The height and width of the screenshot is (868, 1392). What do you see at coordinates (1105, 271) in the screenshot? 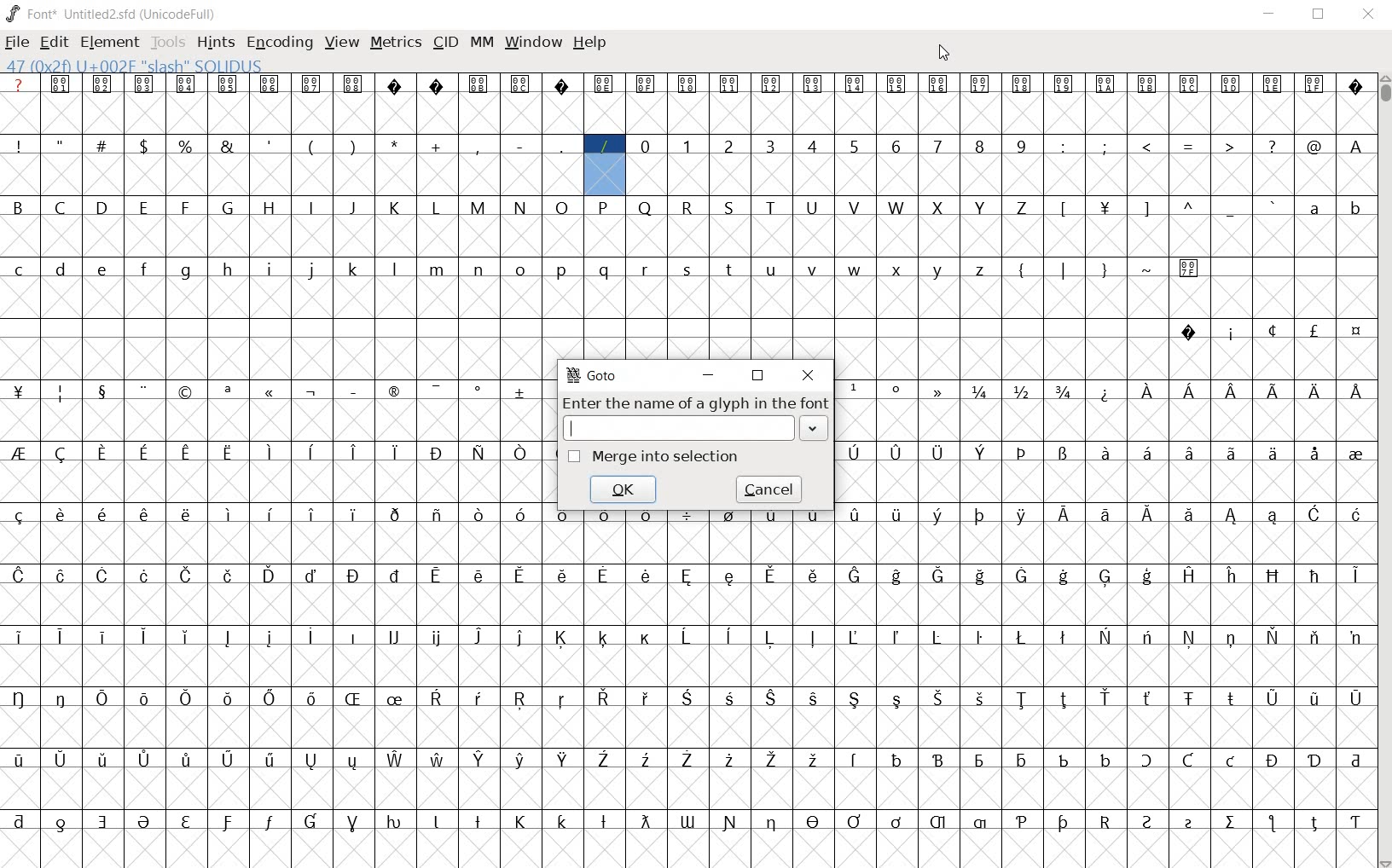
I see `glyph` at bounding box center [1105, 271].